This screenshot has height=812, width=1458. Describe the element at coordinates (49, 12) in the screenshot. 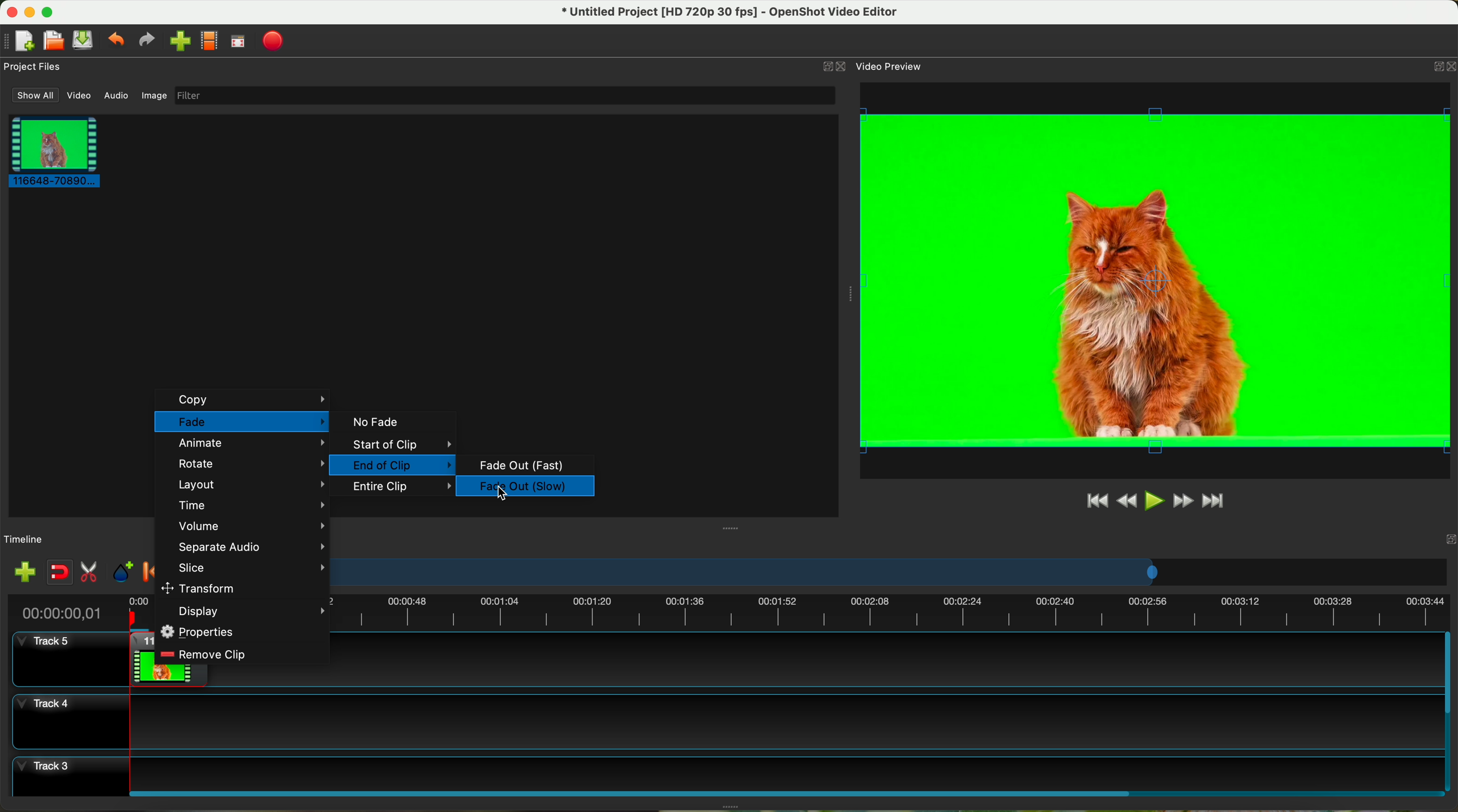

I see `maximize program` at that location.